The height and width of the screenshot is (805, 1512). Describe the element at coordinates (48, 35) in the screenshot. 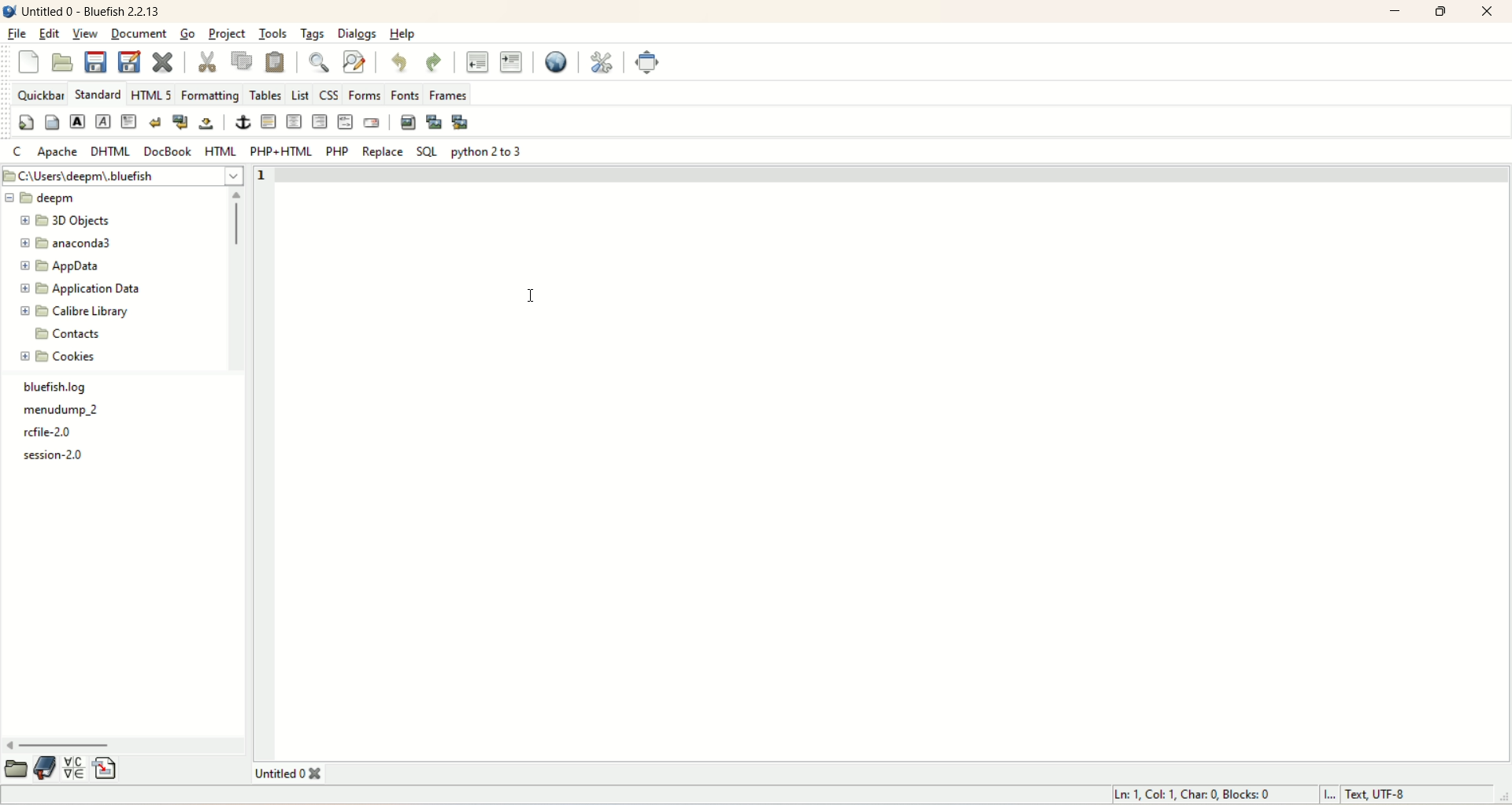

I see `edit` at that location.